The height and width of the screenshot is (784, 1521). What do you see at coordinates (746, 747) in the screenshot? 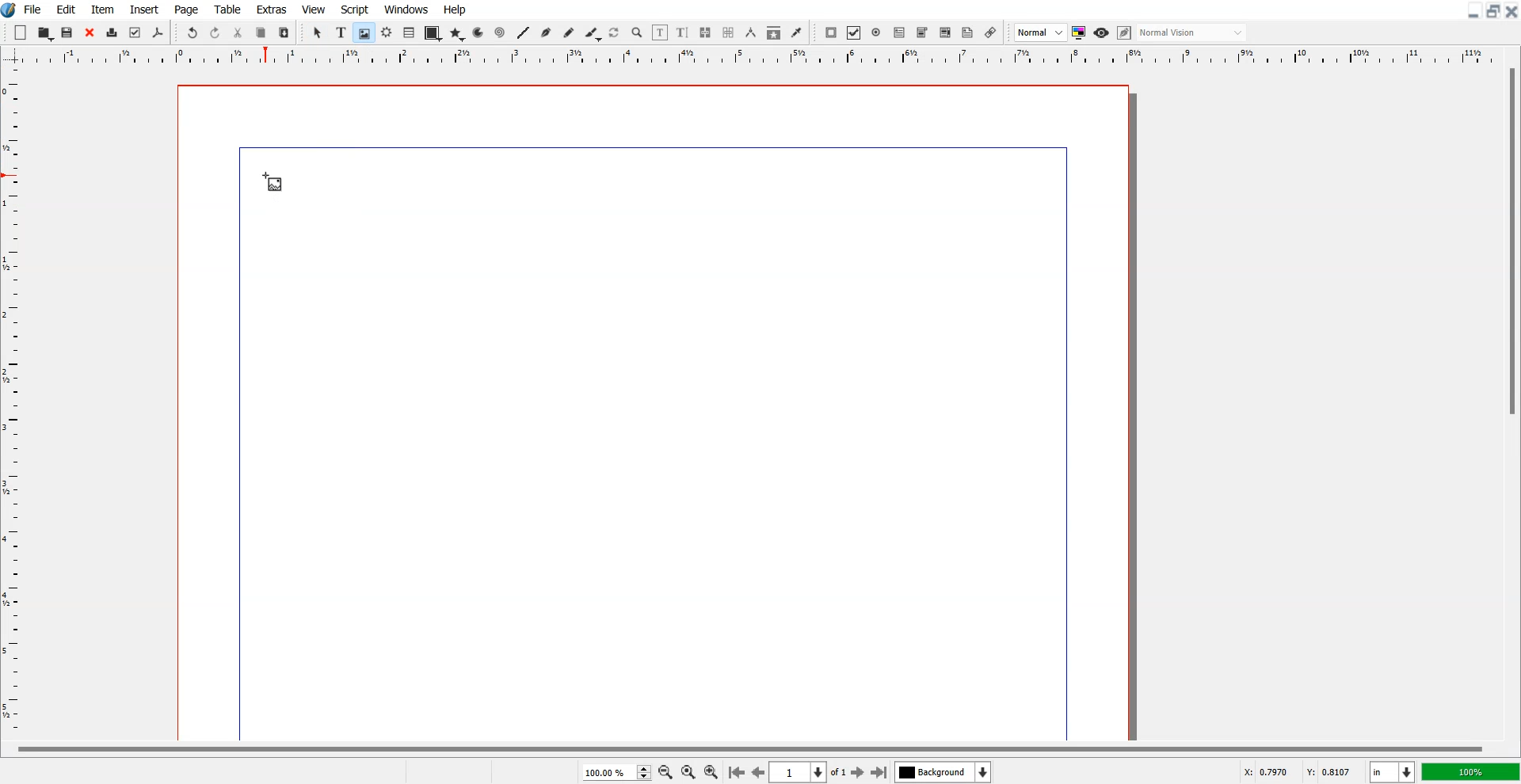
I see `Horizontal scroll bar` at bounding box center [746, 747].